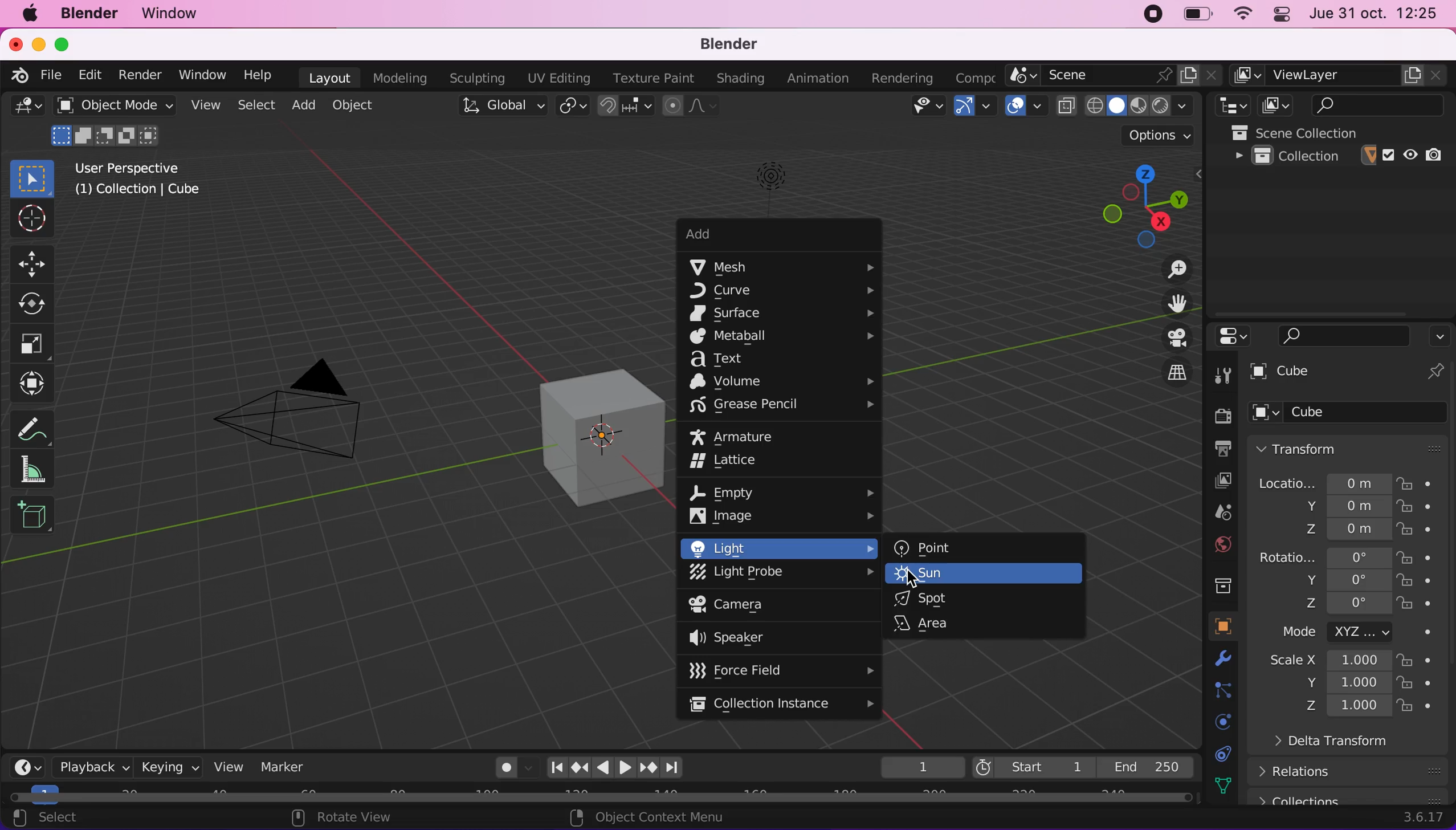 The width and height of the screenshot is (1456, 830). What do you see at coordinates (744, 640) in the screenshot?
I see `speaker` at bounding box center [744, 640].